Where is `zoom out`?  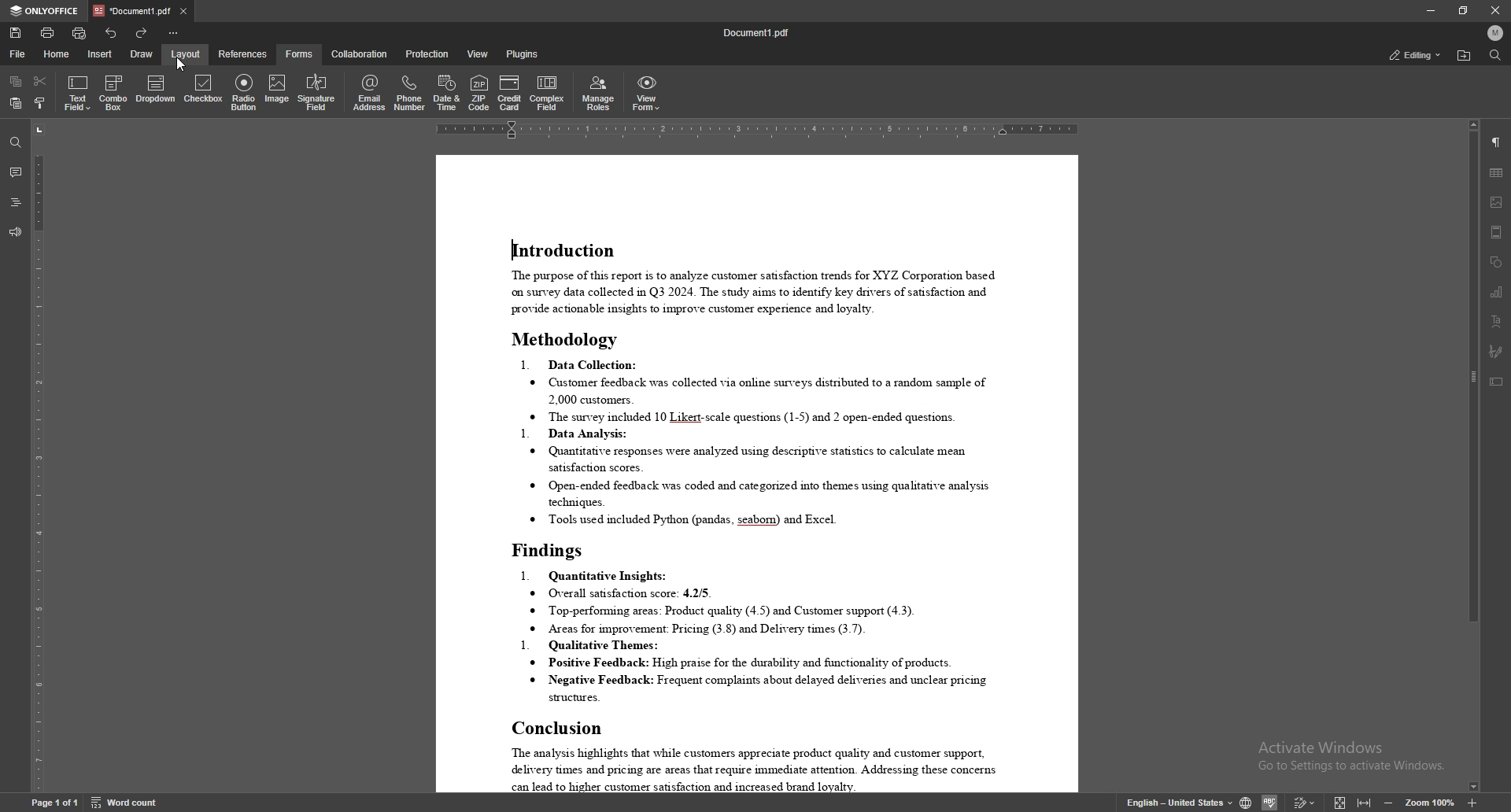 zoom out is located at coordinates (1388, 803).